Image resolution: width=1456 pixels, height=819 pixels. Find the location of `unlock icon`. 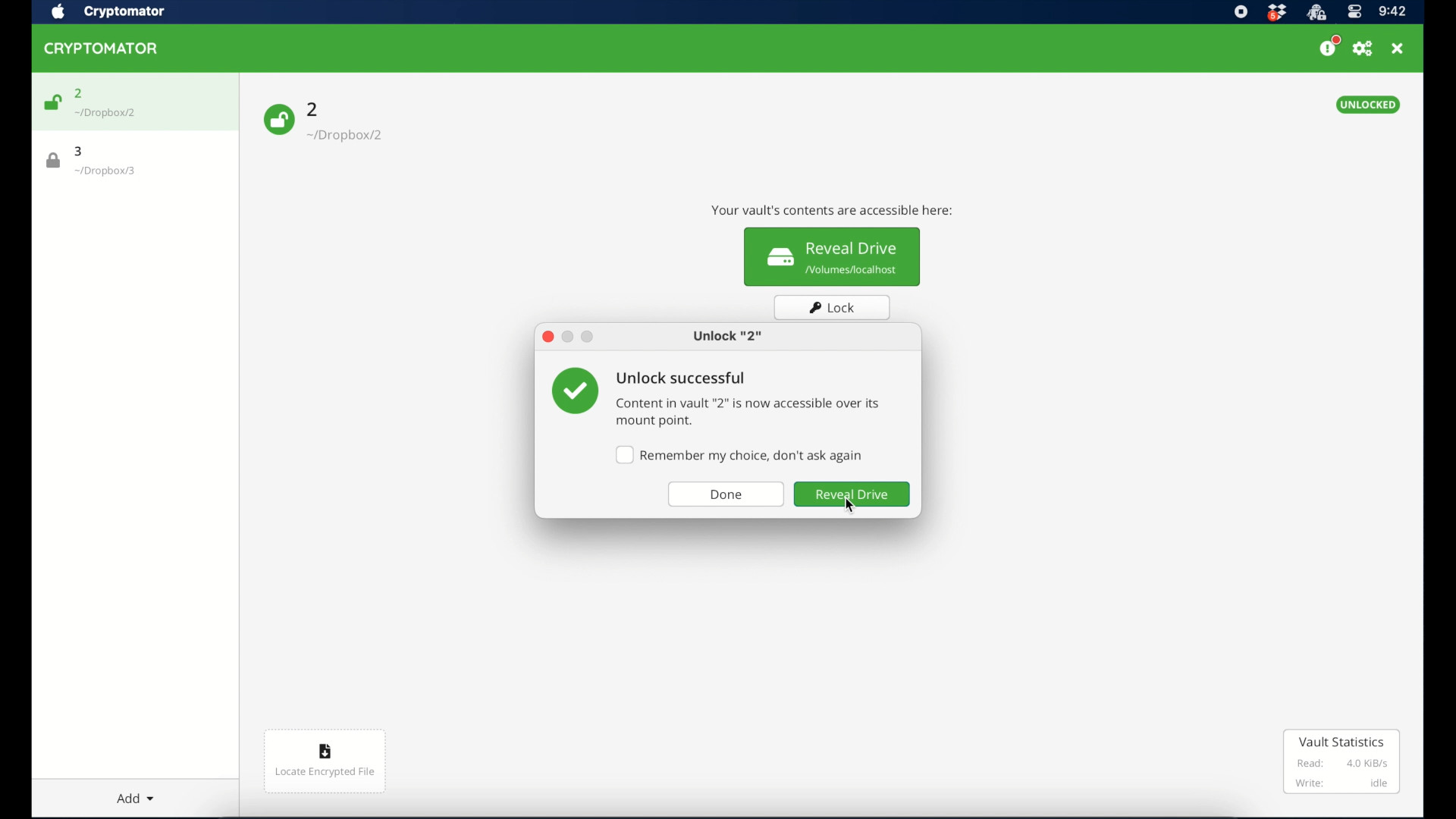

unlock icon is located at coordinates (279, 120).